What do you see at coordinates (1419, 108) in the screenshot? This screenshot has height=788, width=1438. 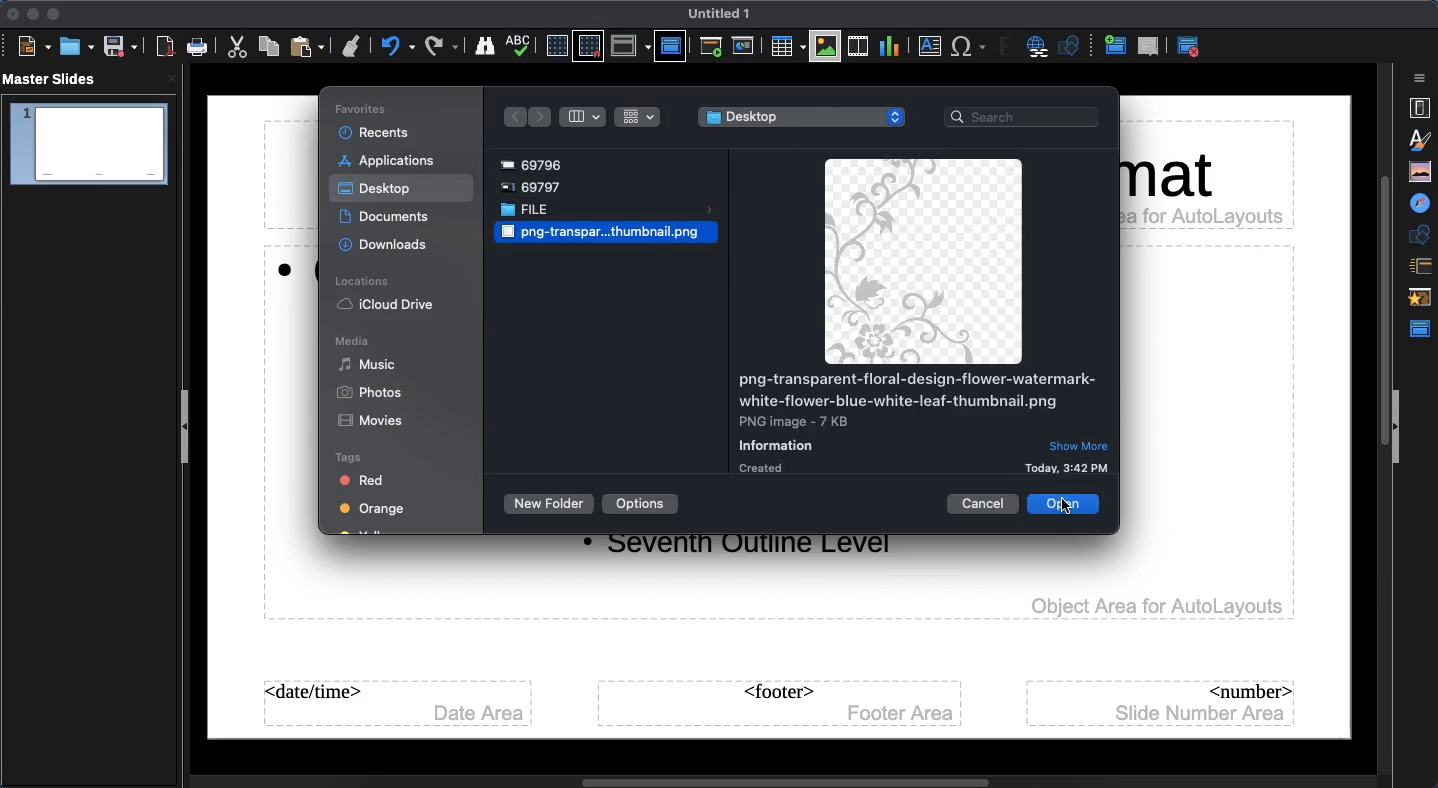 I see `Properties` at bounding box center [1419, 108].